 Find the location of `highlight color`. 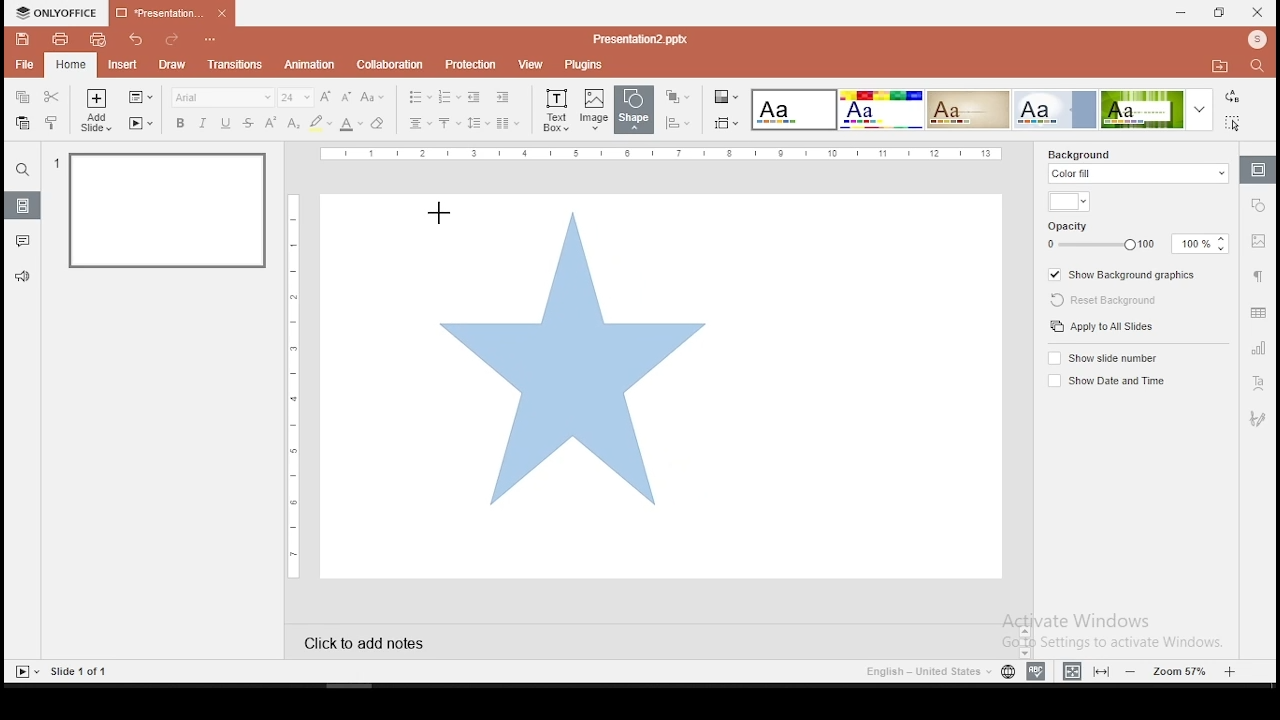

highlight color is located at coordinates (320, 124).